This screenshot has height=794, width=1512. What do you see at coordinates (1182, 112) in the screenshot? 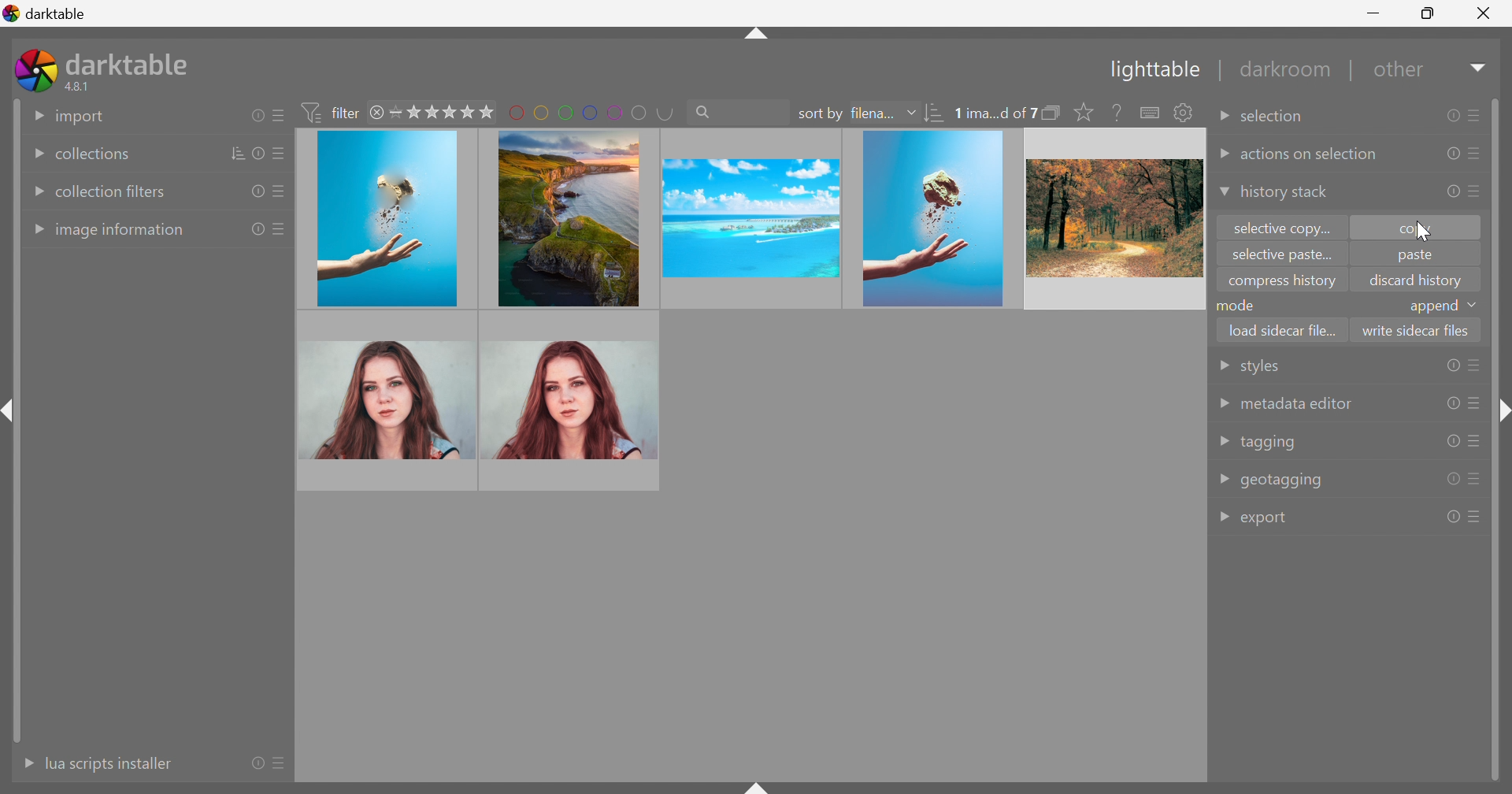
I see `show global preference` at bounding box center [1182, 112].